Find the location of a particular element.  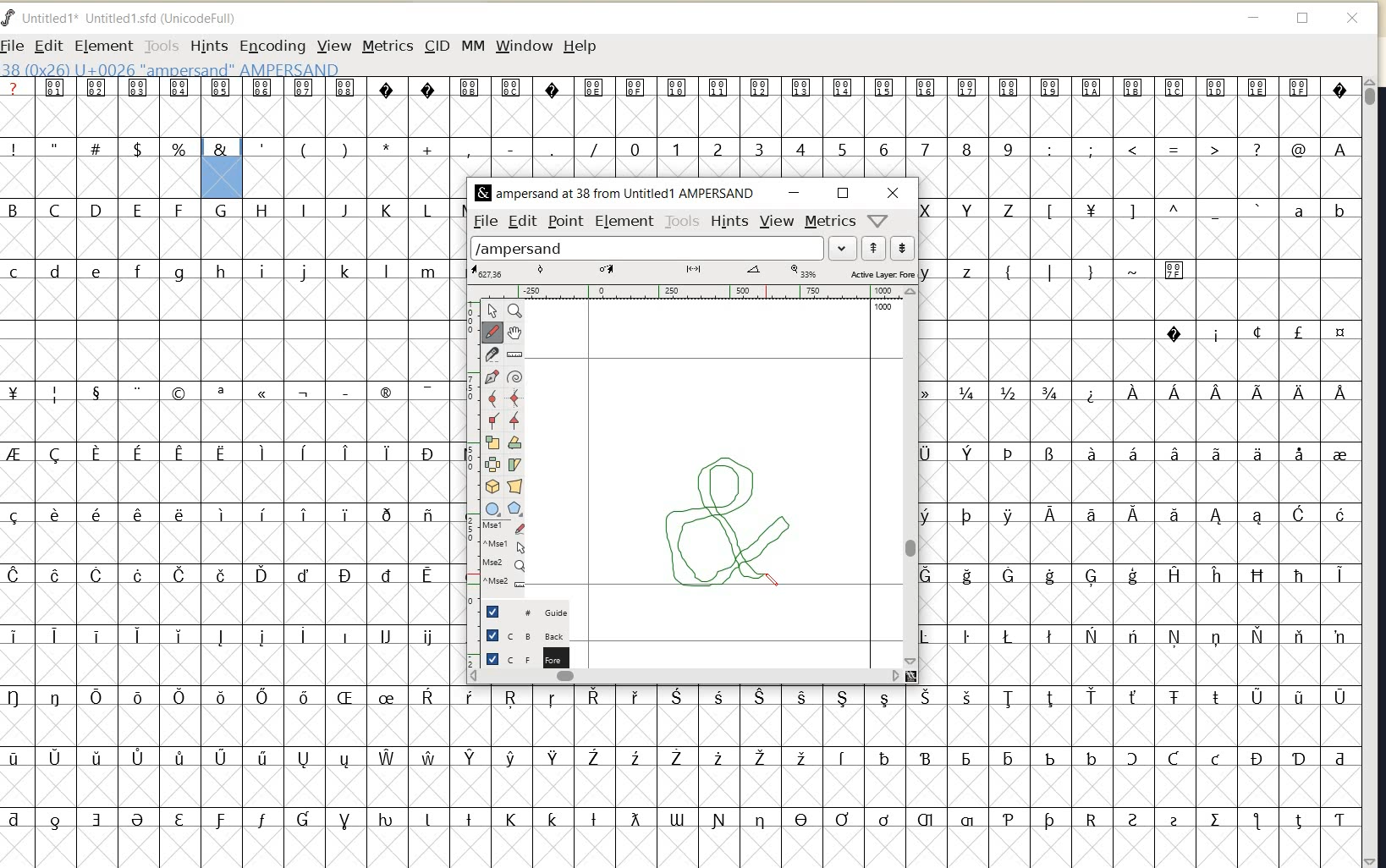

HELP/WINDOW is located at coordinates (878, 220).